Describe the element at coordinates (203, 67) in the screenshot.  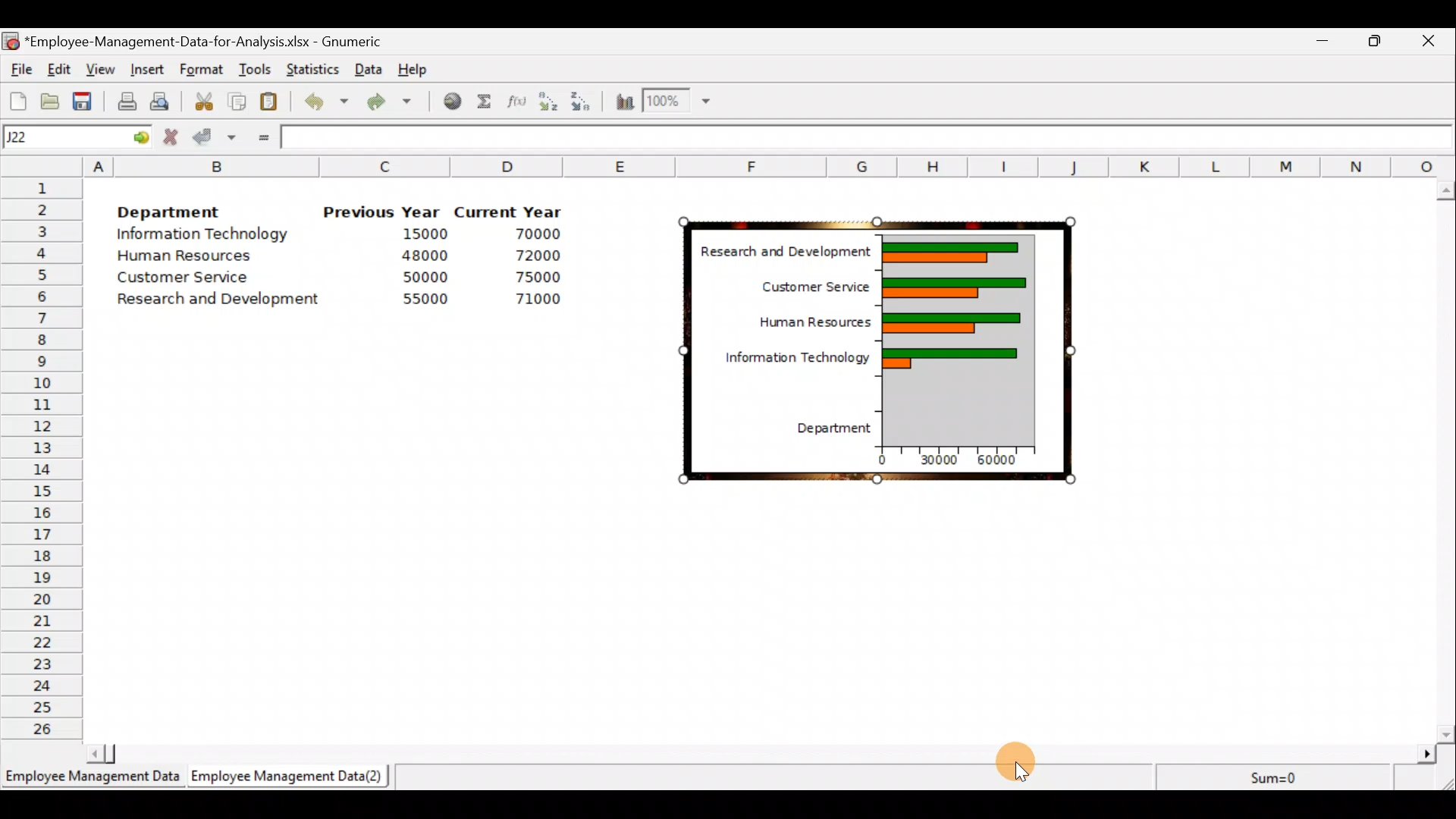
I see `Format` at that location.